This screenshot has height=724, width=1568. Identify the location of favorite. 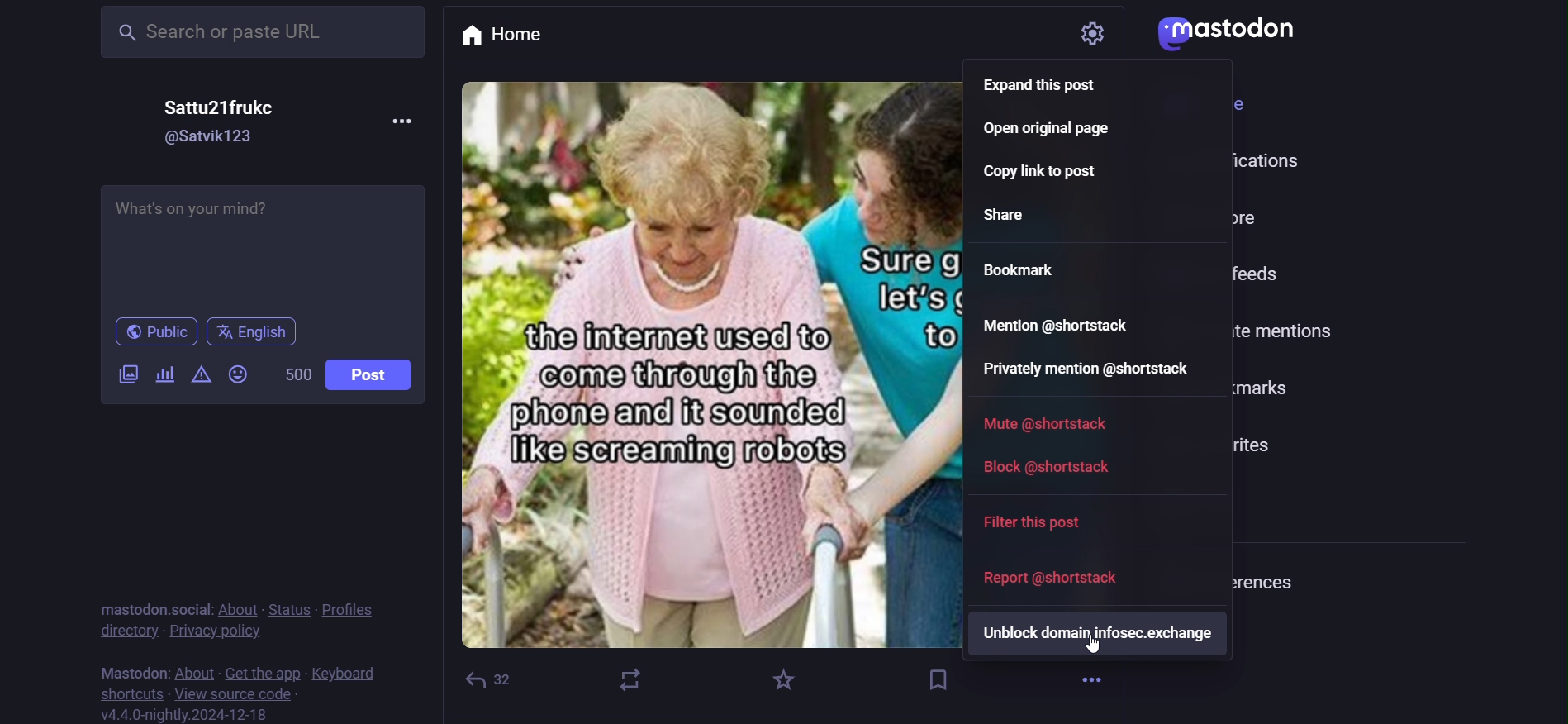
(786, 675).